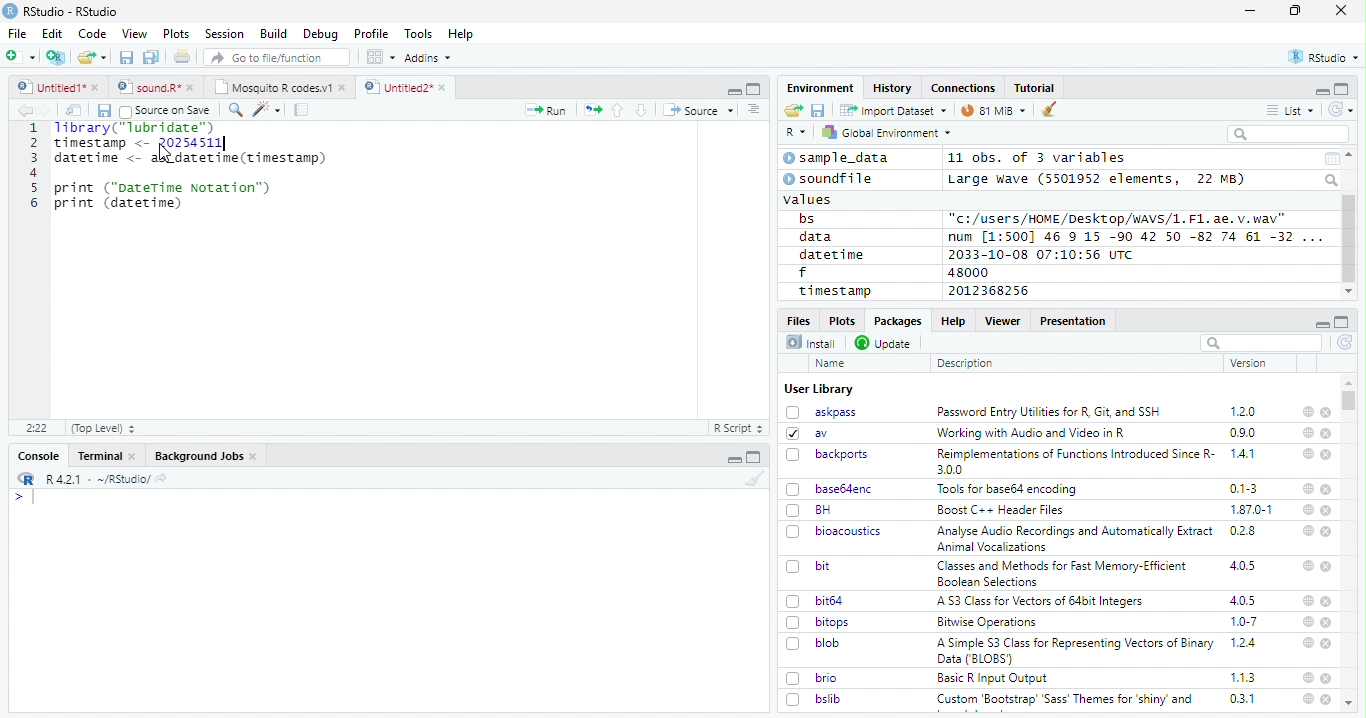 Image resolution: width=1366 pixels, height=718 pixels. I want to click on typing cursor, so click(24, 497).